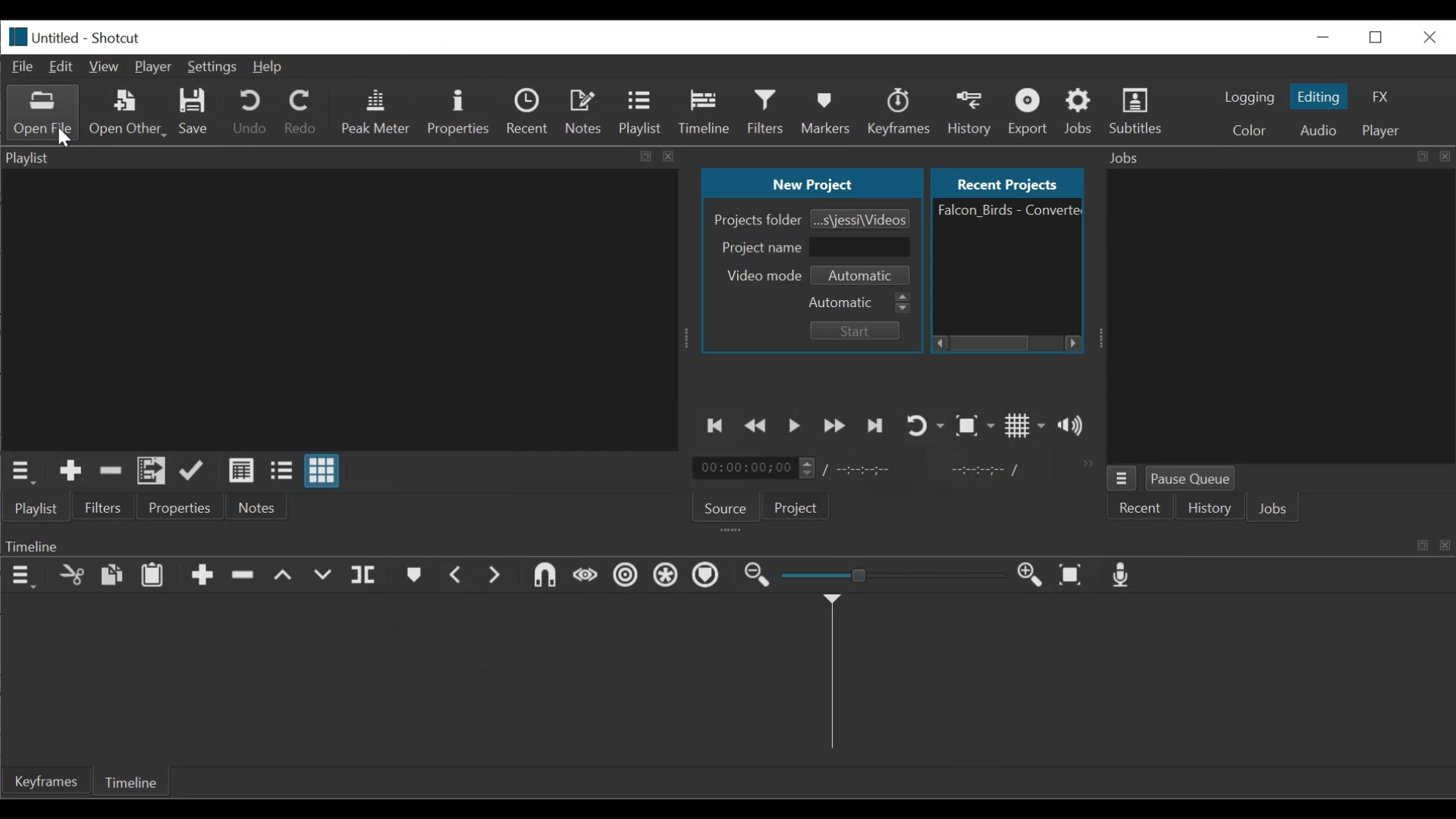 The image size is (1456, 819). Describe the element at coordinates (106, 67) in the screenshot. I see `View` at that location.